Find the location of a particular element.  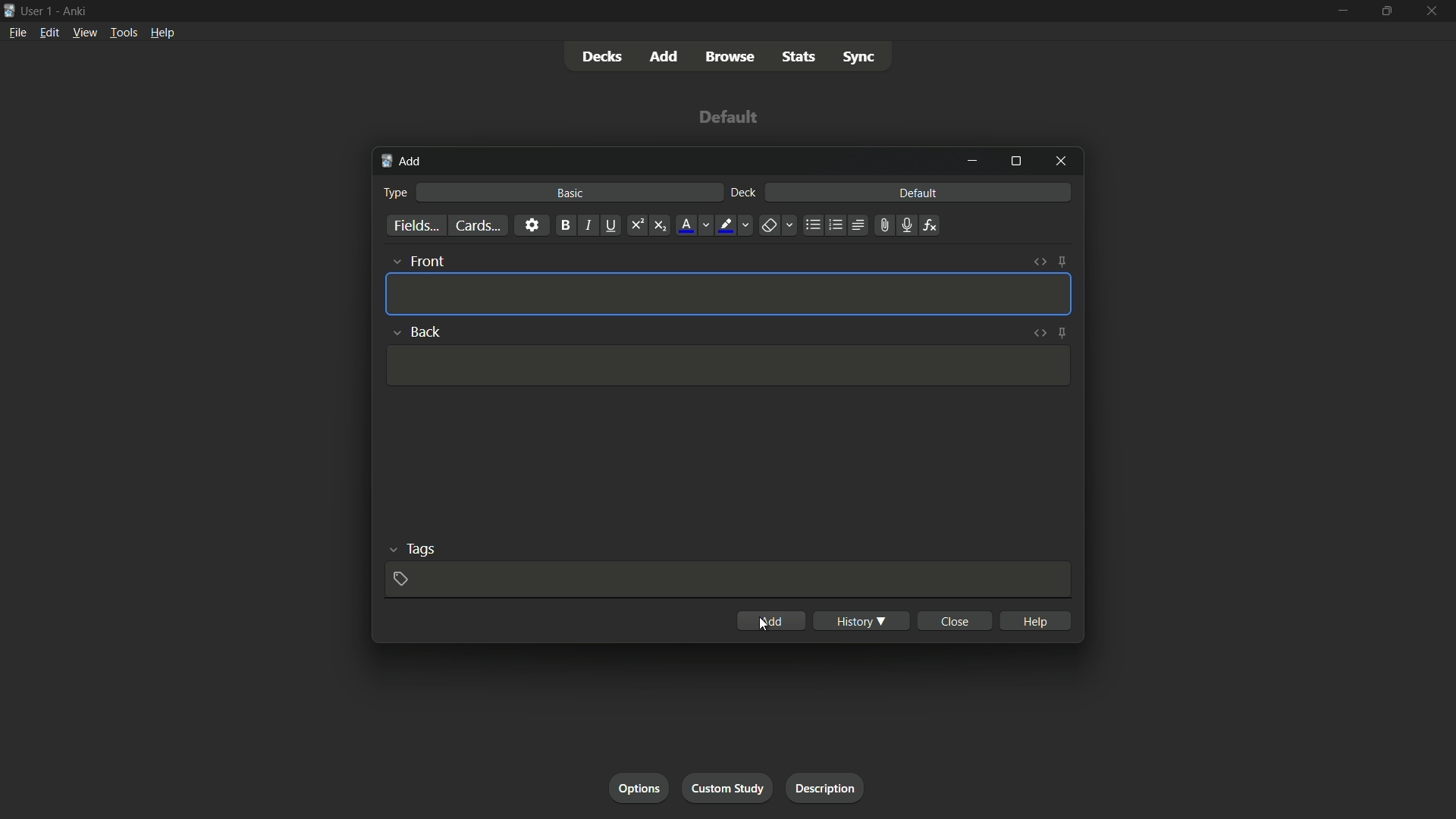

basic is located at coordinates (571, 193).